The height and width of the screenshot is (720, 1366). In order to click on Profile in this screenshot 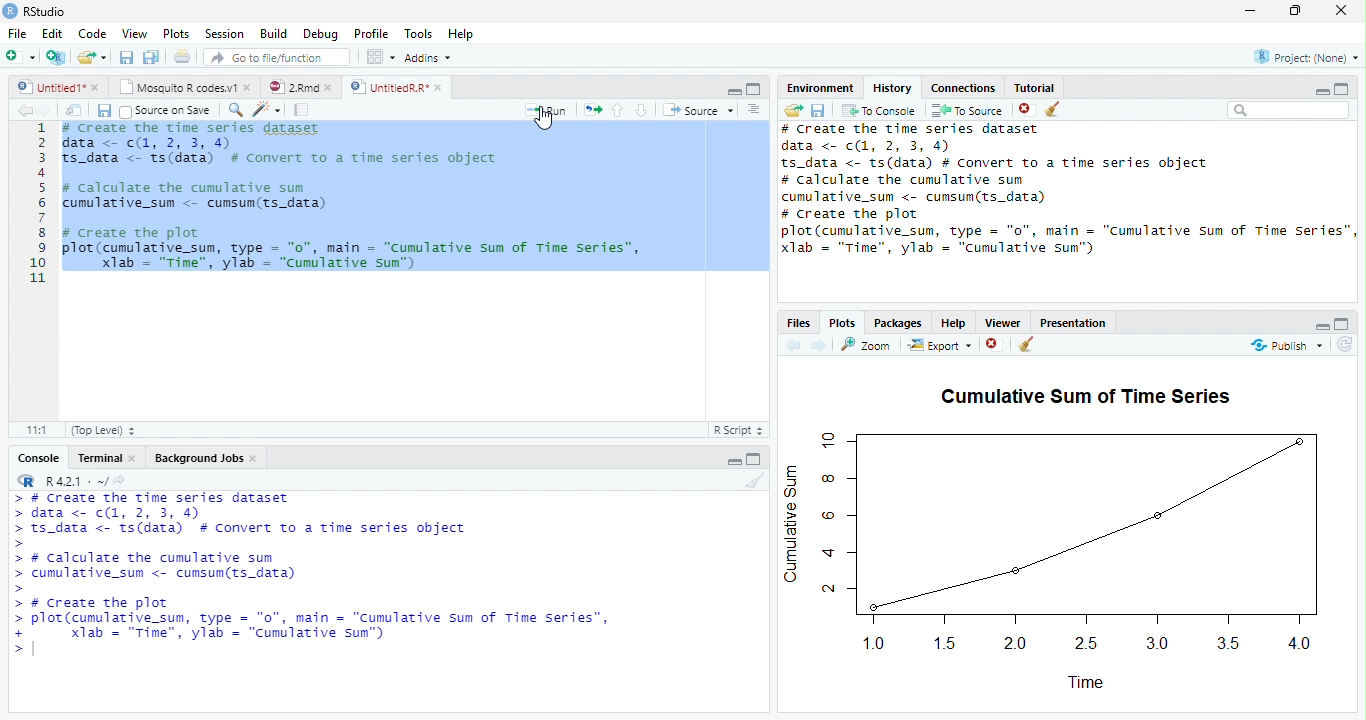, I will do `click(372, 35)`.